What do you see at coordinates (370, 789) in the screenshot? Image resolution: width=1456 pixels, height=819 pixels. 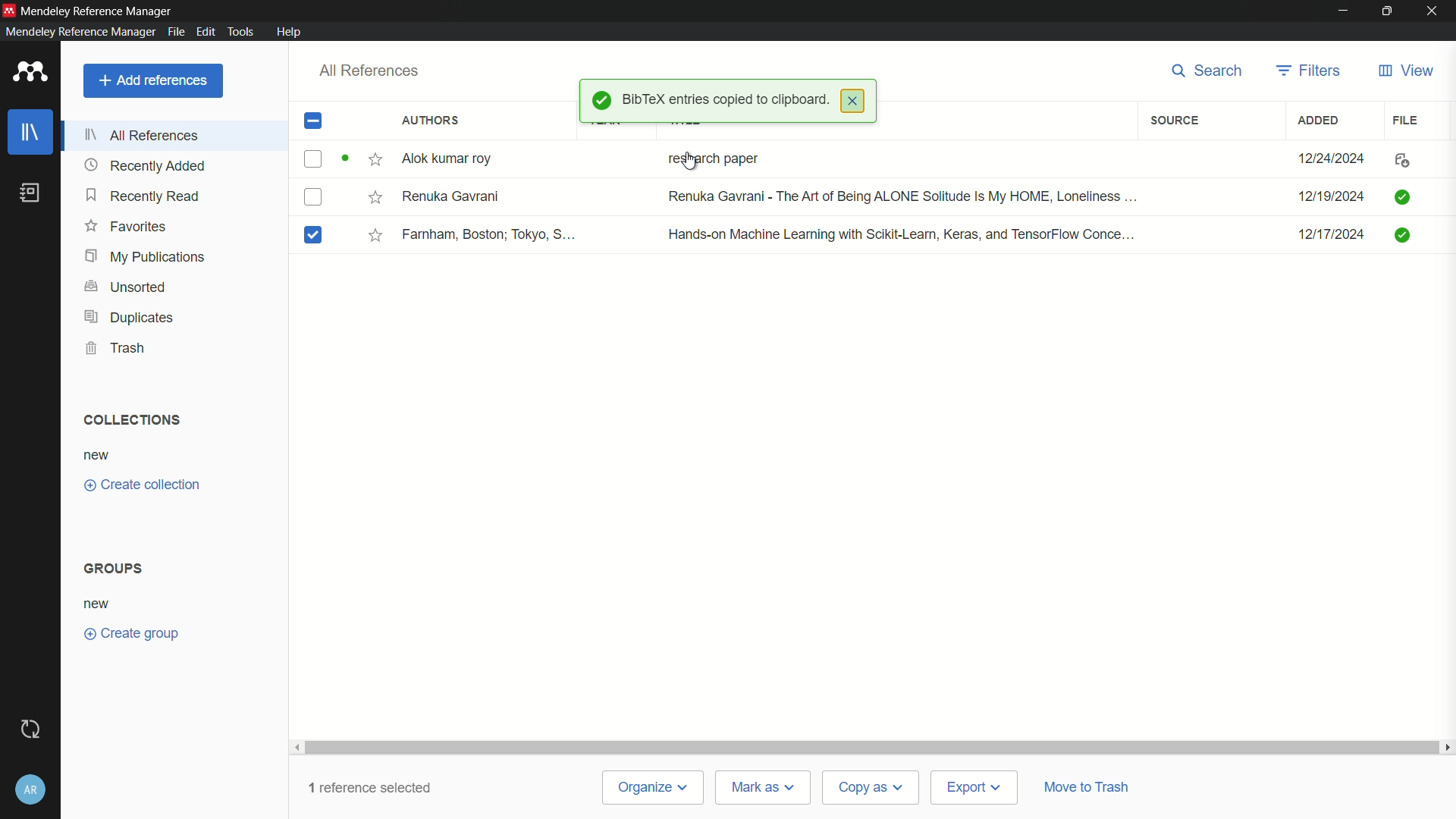 I see `1 reference selected` at bounding box center [370, 789].